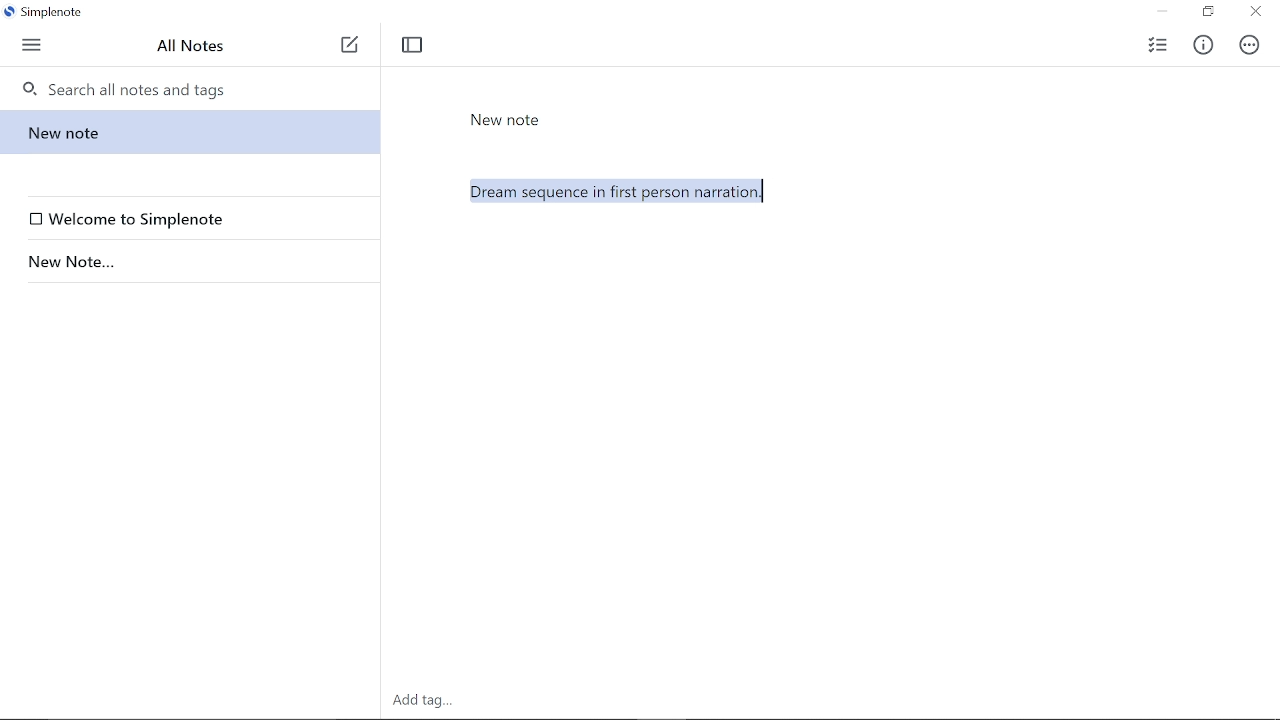  I want to click on Toggle focus mode, so click(412, 45).